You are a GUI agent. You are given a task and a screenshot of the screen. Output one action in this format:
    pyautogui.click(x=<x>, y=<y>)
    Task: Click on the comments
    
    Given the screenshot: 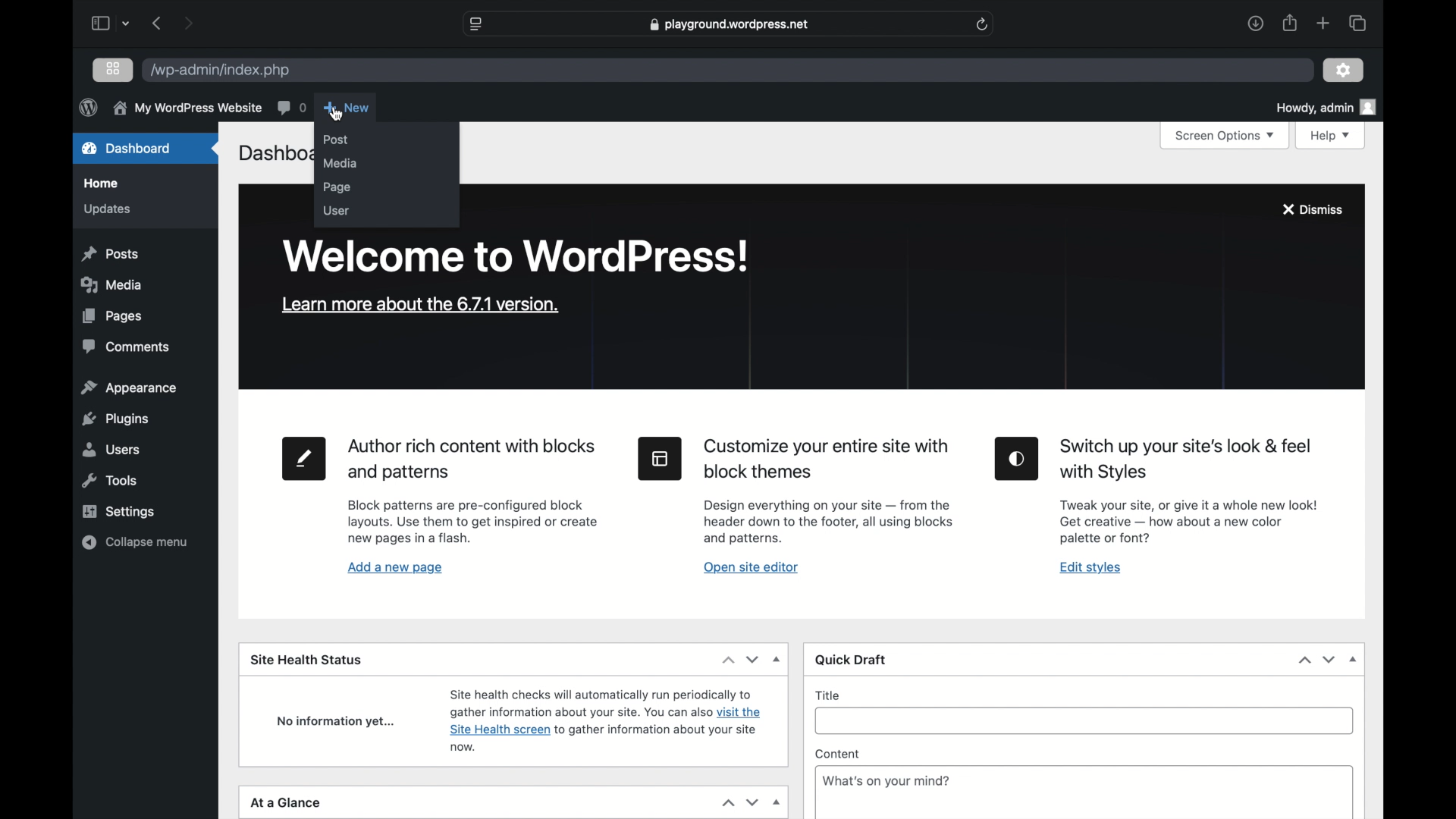 What is the action you would take?
    pyautogui.click(x=291, y=107)
    